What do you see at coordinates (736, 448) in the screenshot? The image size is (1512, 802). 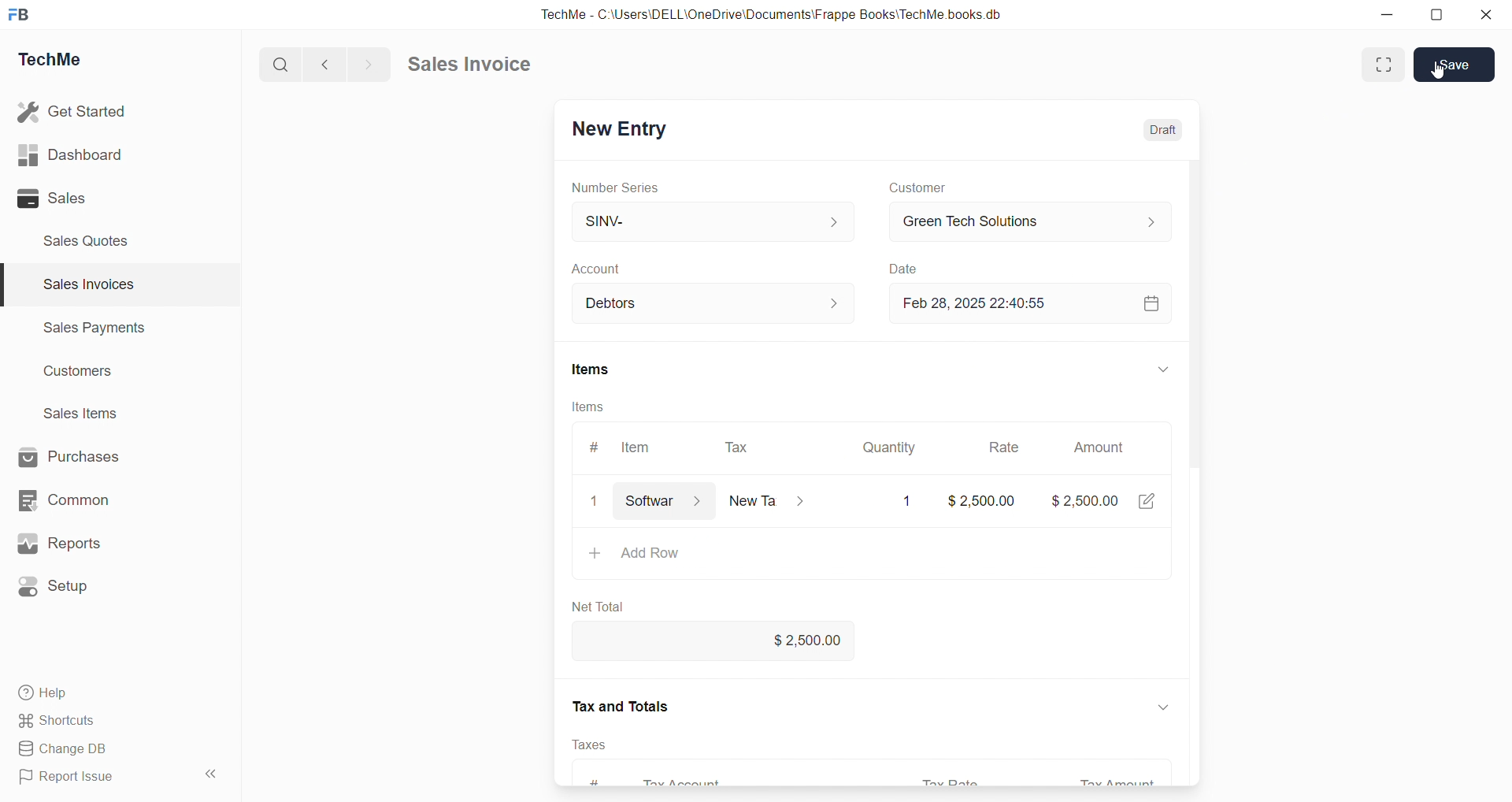 I see `Tax` at bounding box center [736, 448].